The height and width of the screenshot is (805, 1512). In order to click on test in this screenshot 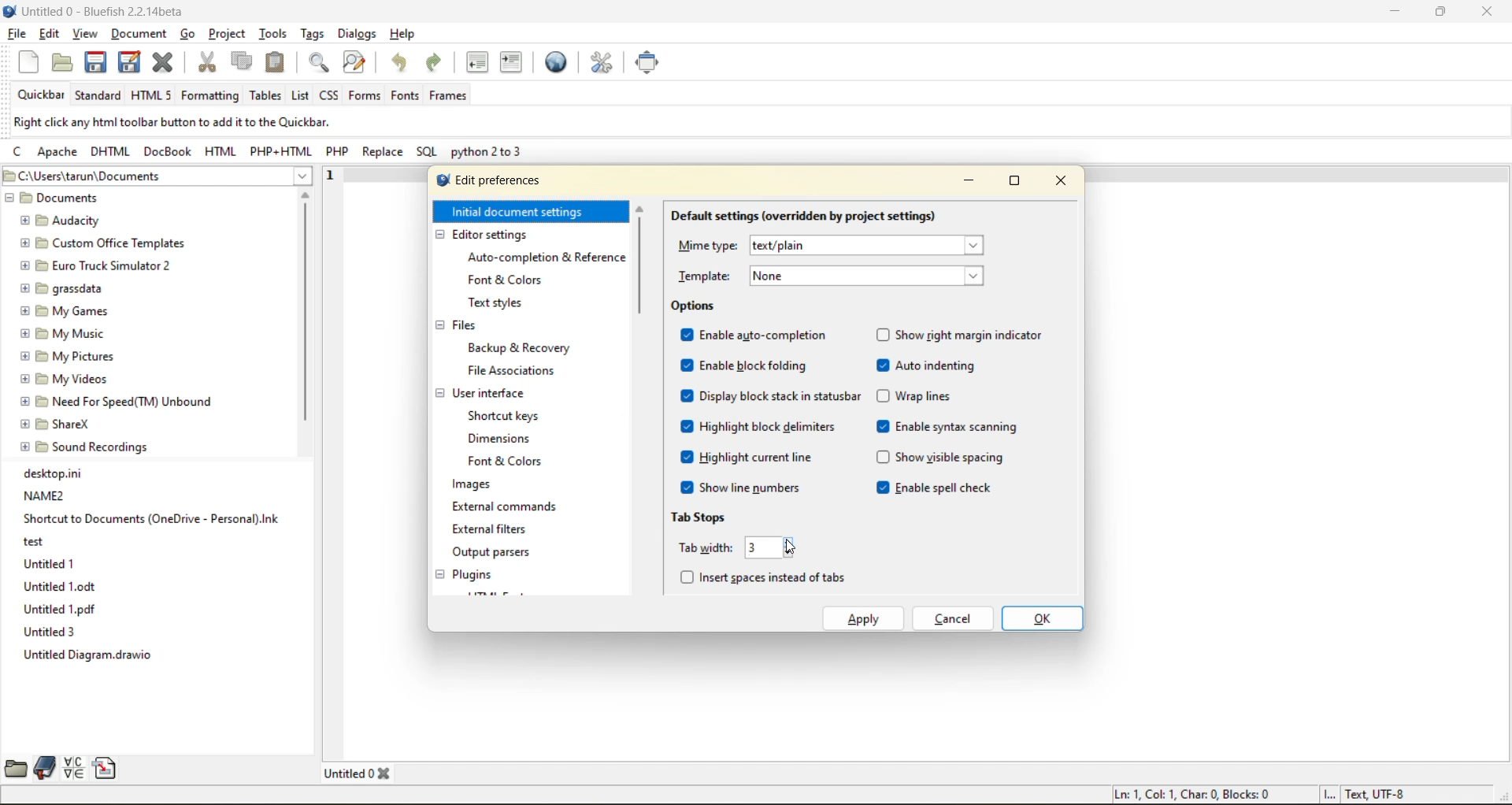, I will do `click(35, 540)`.